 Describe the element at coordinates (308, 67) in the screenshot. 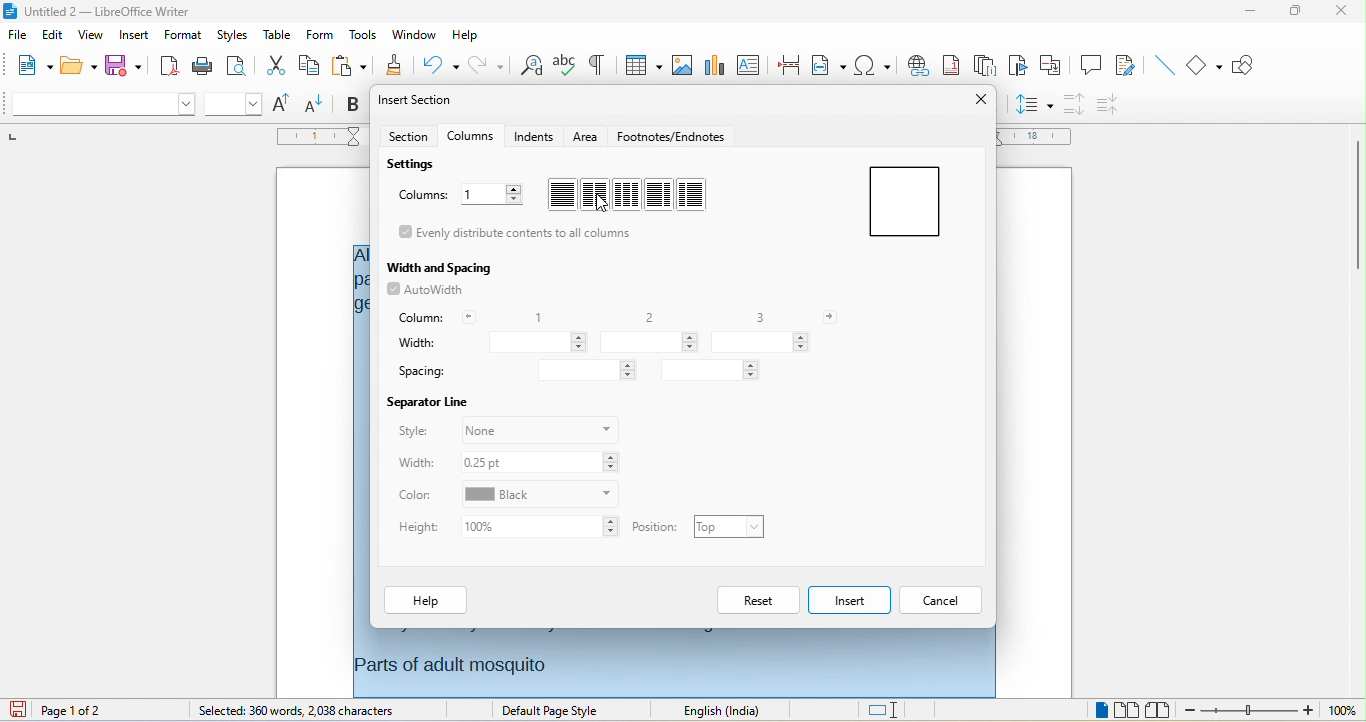

I see `copy` at that location.